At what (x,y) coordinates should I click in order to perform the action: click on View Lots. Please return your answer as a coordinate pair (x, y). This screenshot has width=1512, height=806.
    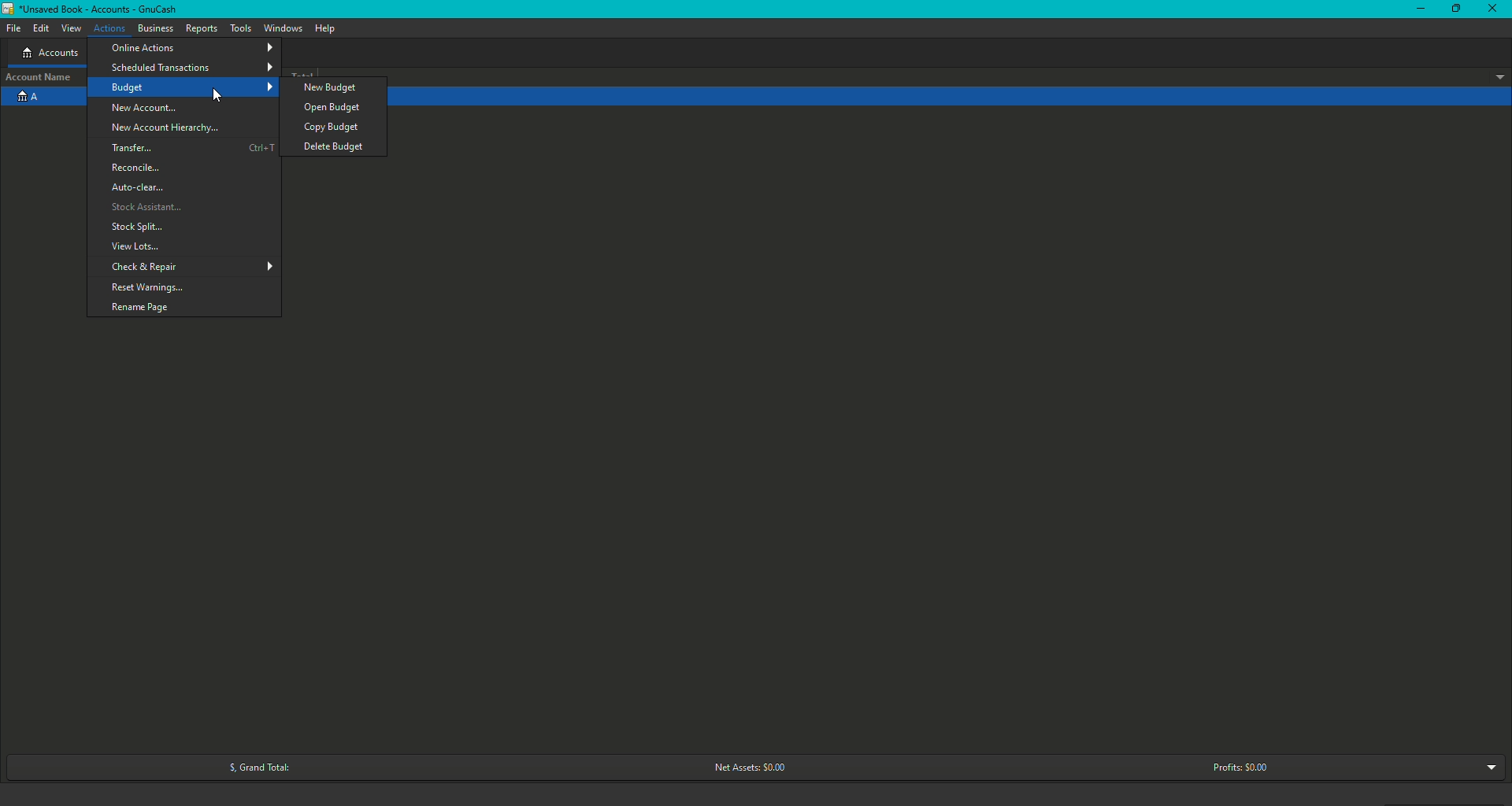
    Looking at the image, I should click on (137, 248).